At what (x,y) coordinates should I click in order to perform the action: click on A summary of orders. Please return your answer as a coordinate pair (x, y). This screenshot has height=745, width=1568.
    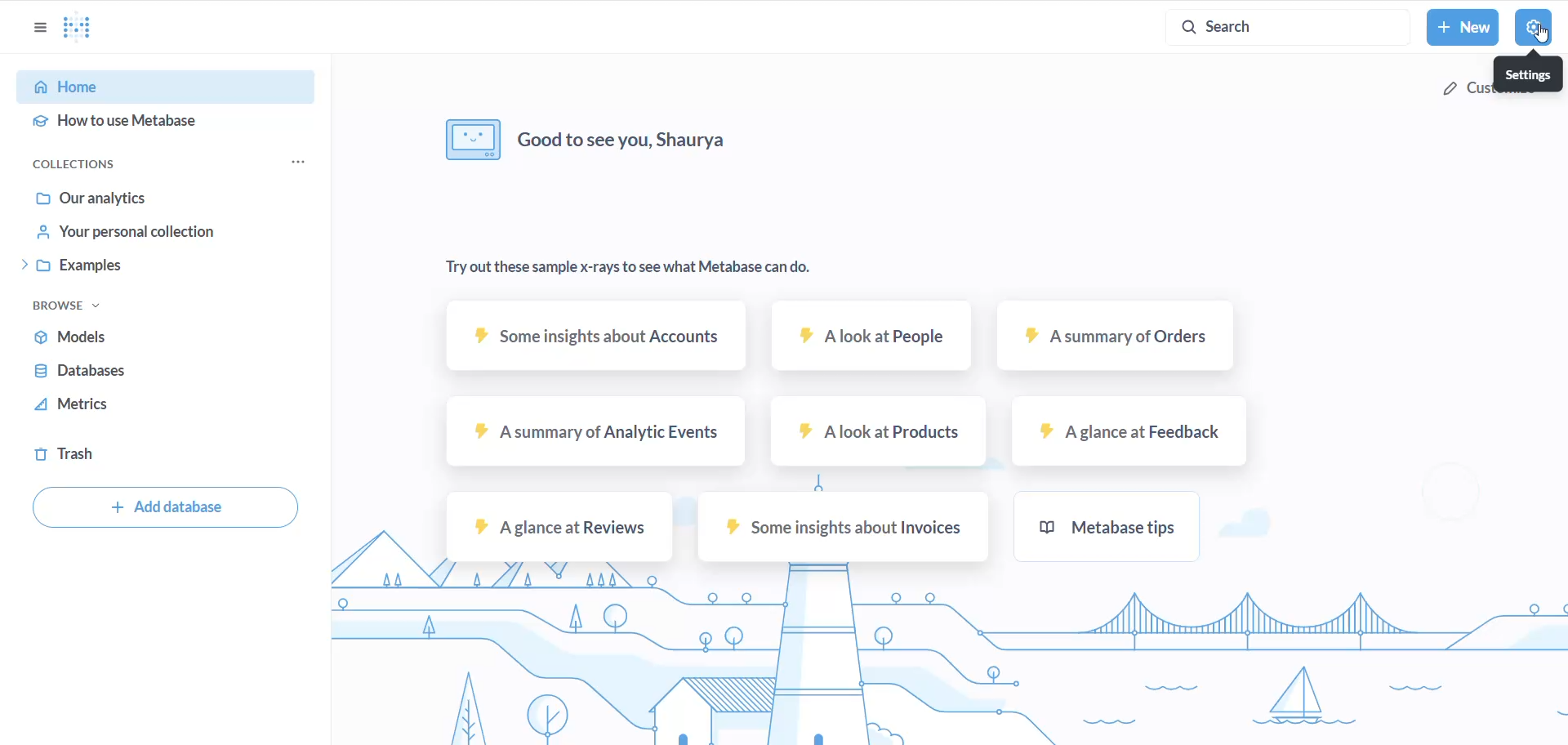
    Looking at the image, I should click on (1116, 338).